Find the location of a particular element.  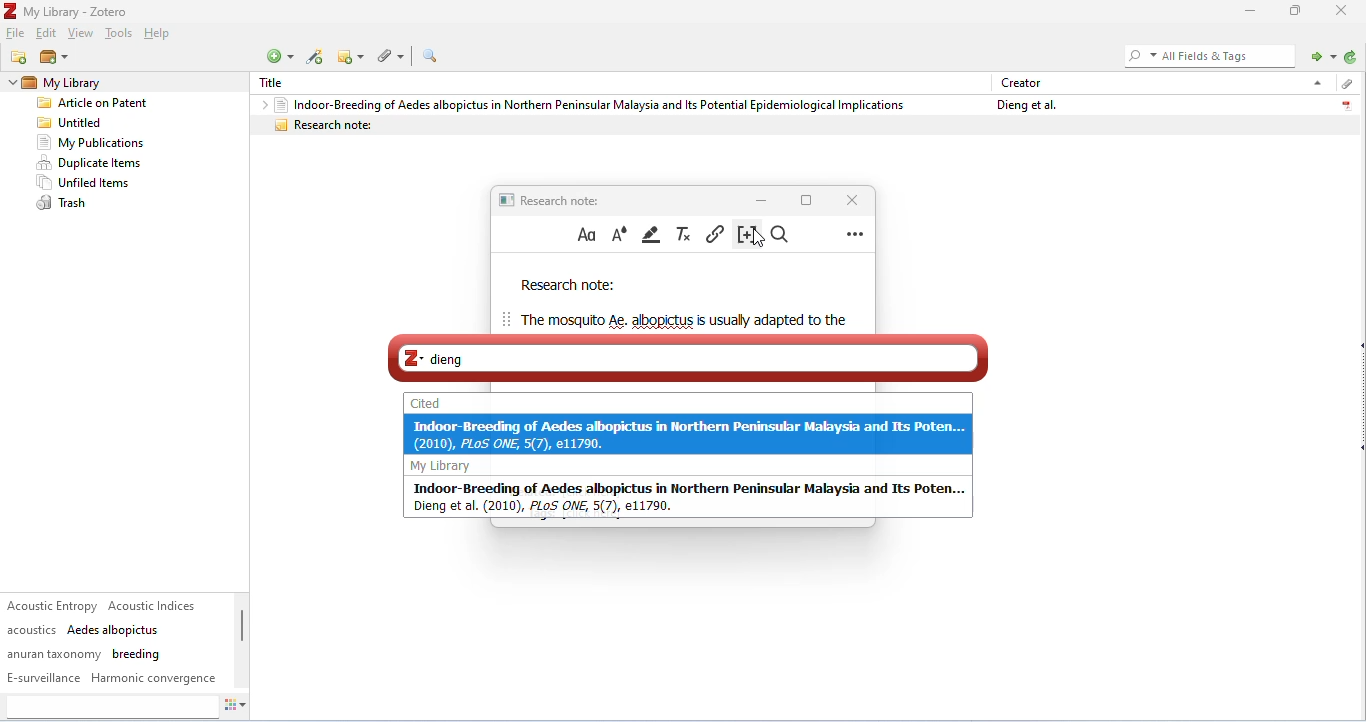

unfiled items is located at coordinates (87, 183).